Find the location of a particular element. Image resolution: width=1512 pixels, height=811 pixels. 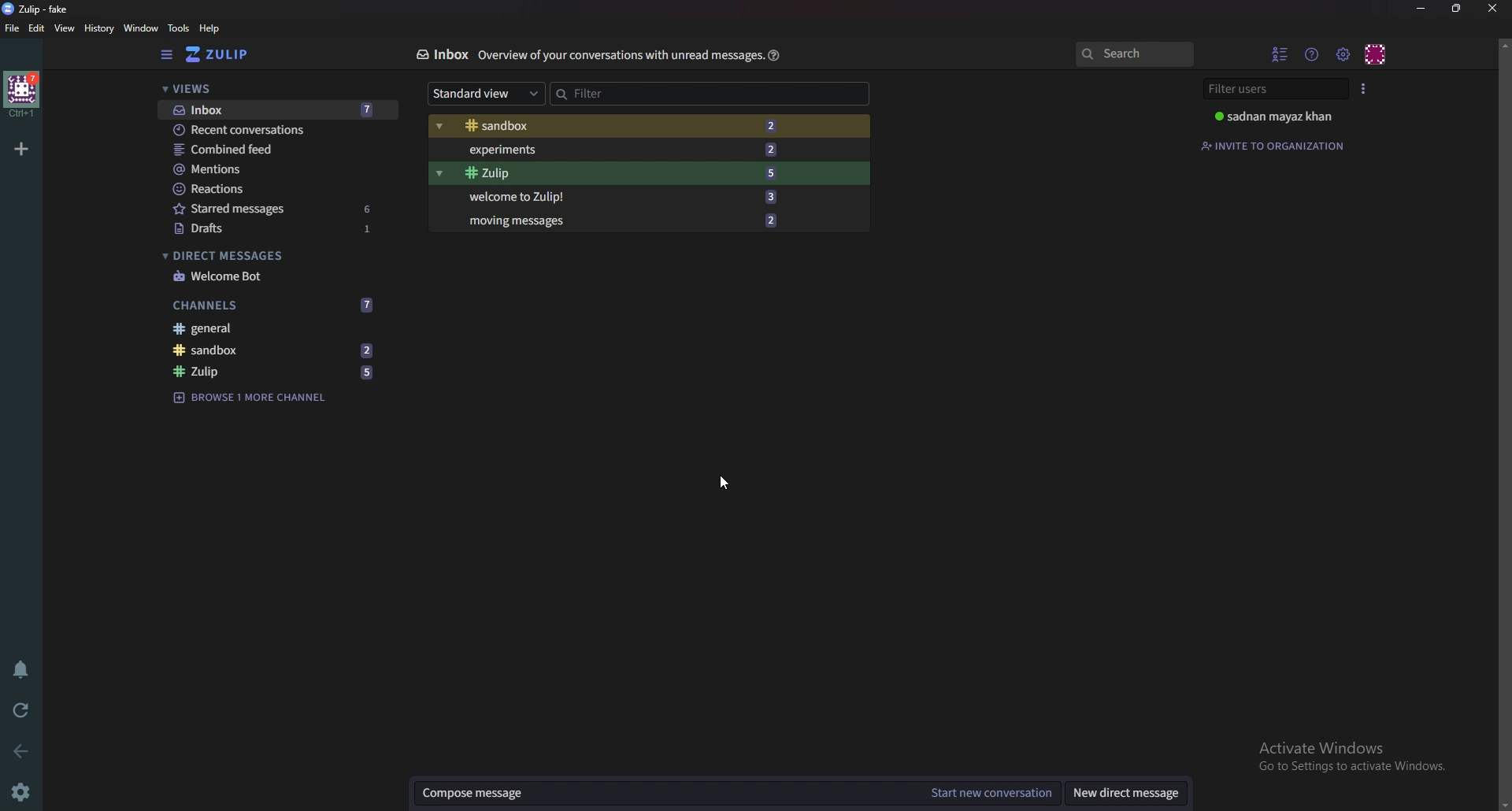

Minimize is located at coordinates (1422, 9).